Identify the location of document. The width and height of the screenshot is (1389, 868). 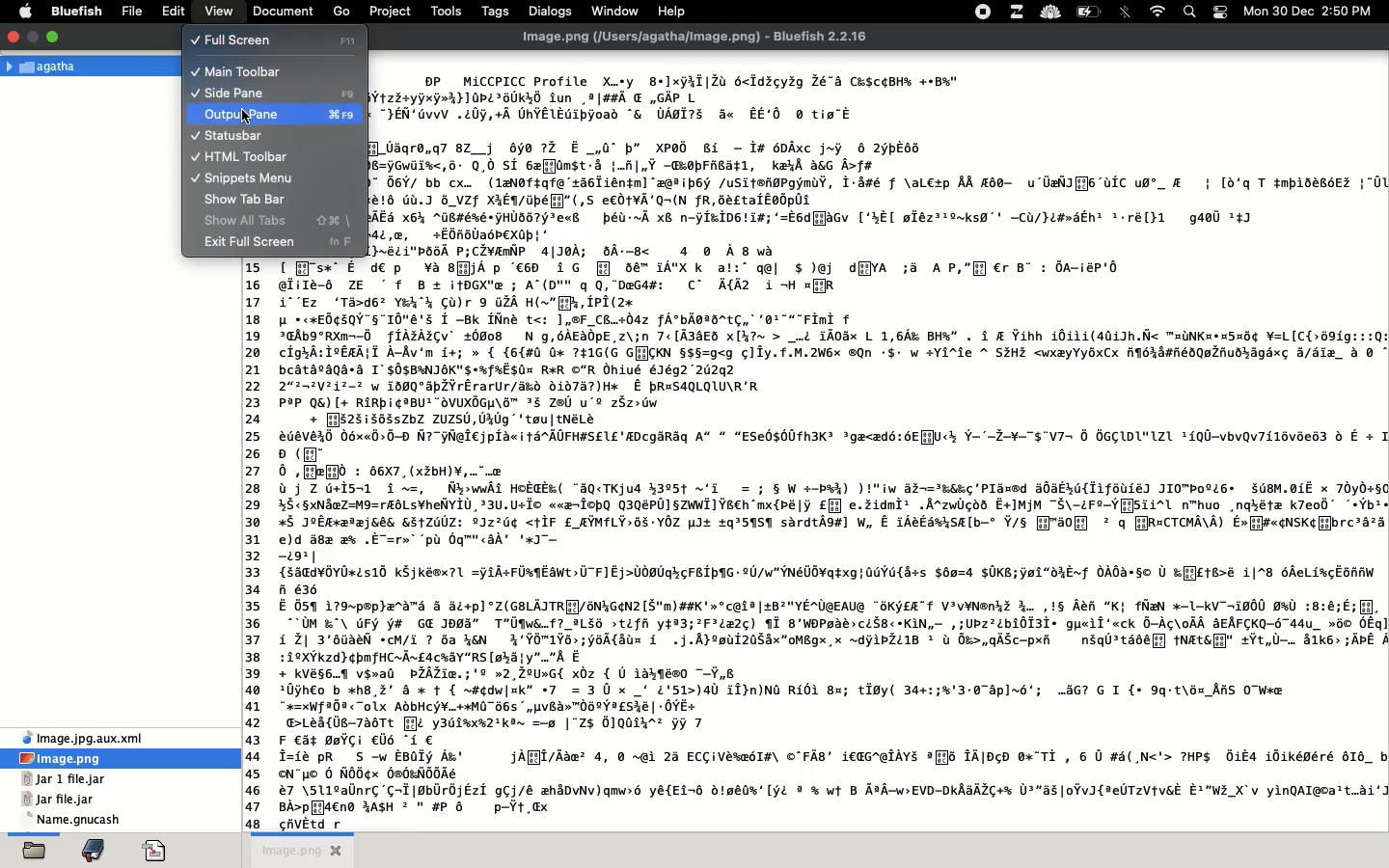
(282, 11).